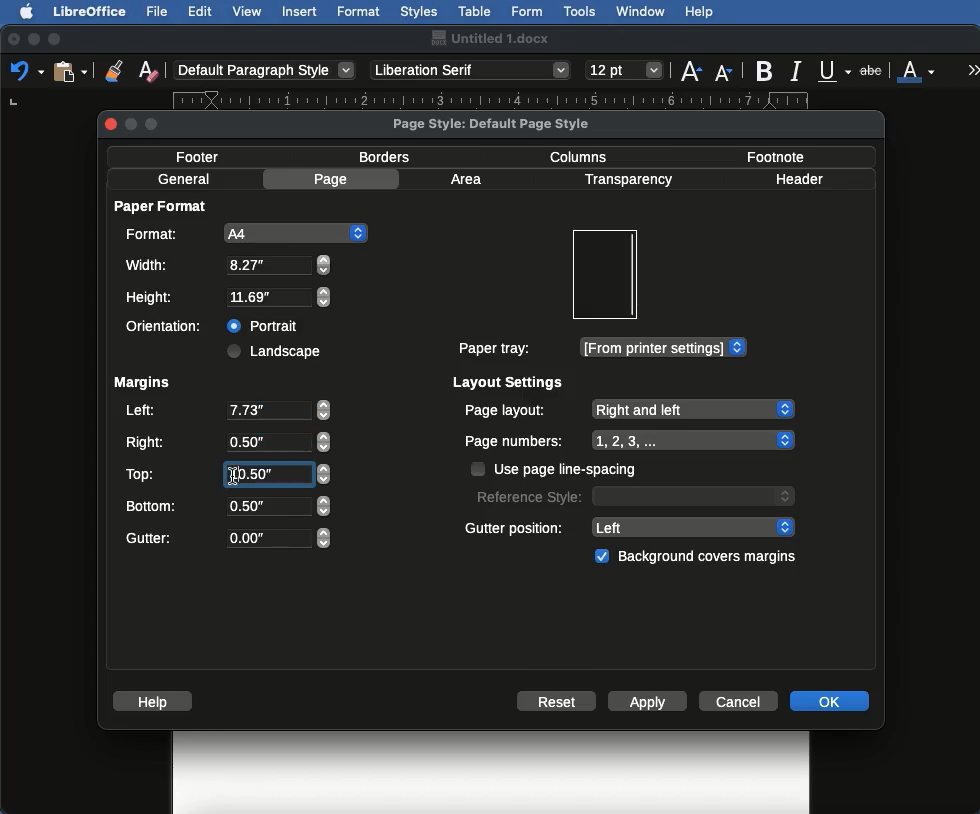 This screenshot has height=814, width=980. What do you see at coordinates (184, 179) in the screenshot?
I see `General` at bounding box center [184, 179].